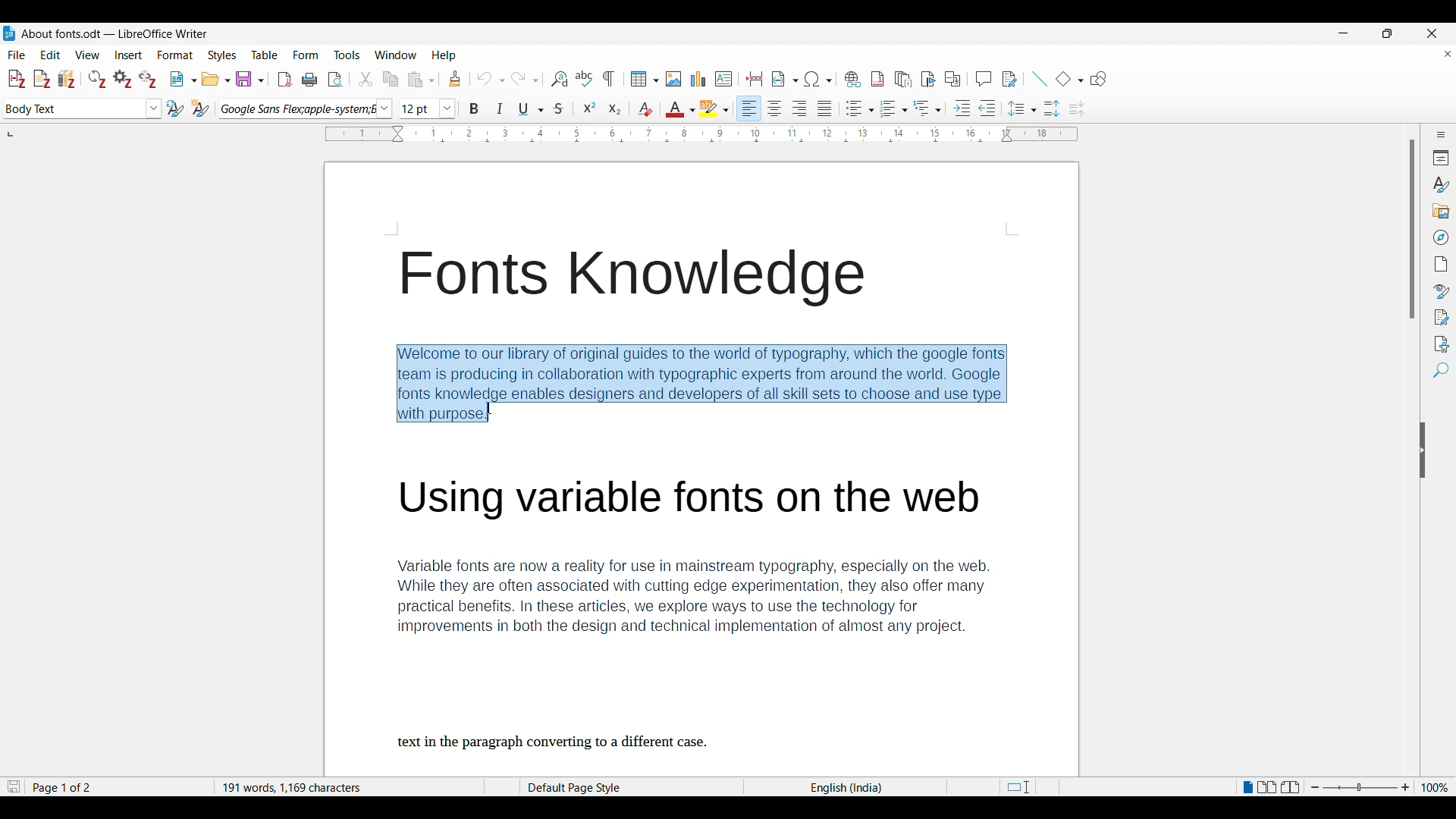  Describe the element at coordinates (1360, 786) in the screenshot. I see `Zoom slider` at that location.